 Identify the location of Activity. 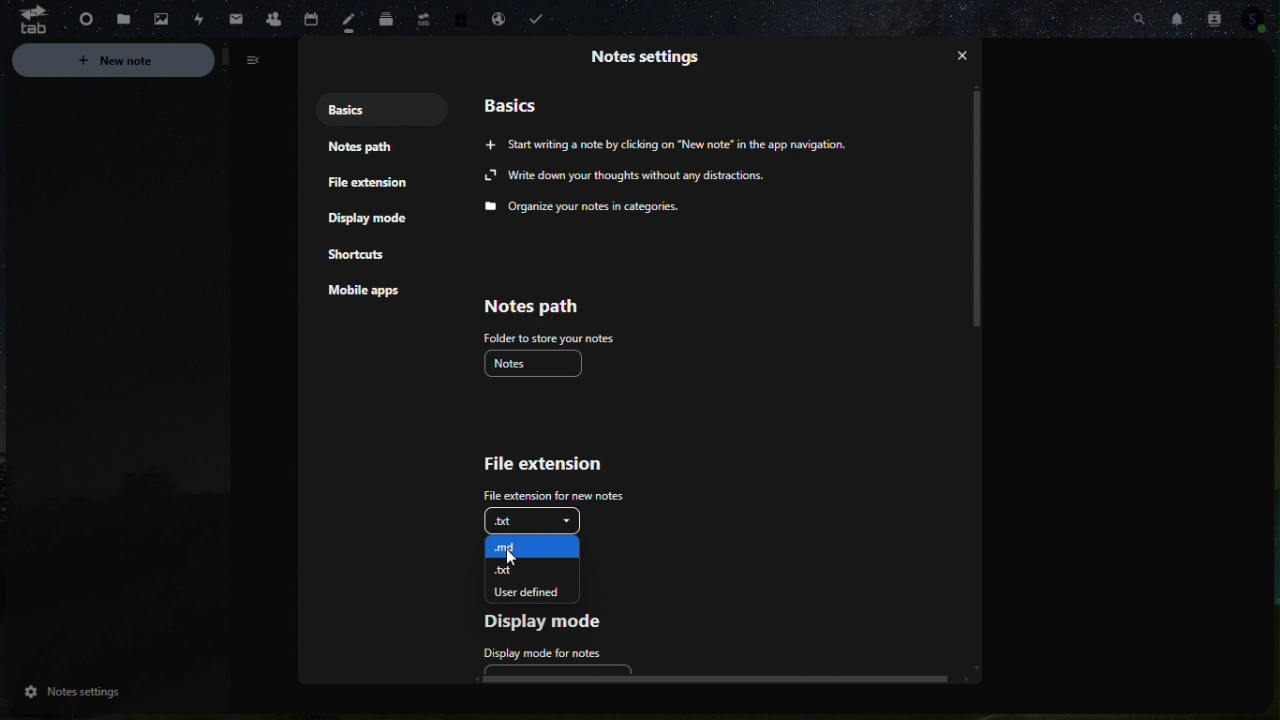
(192, 18).